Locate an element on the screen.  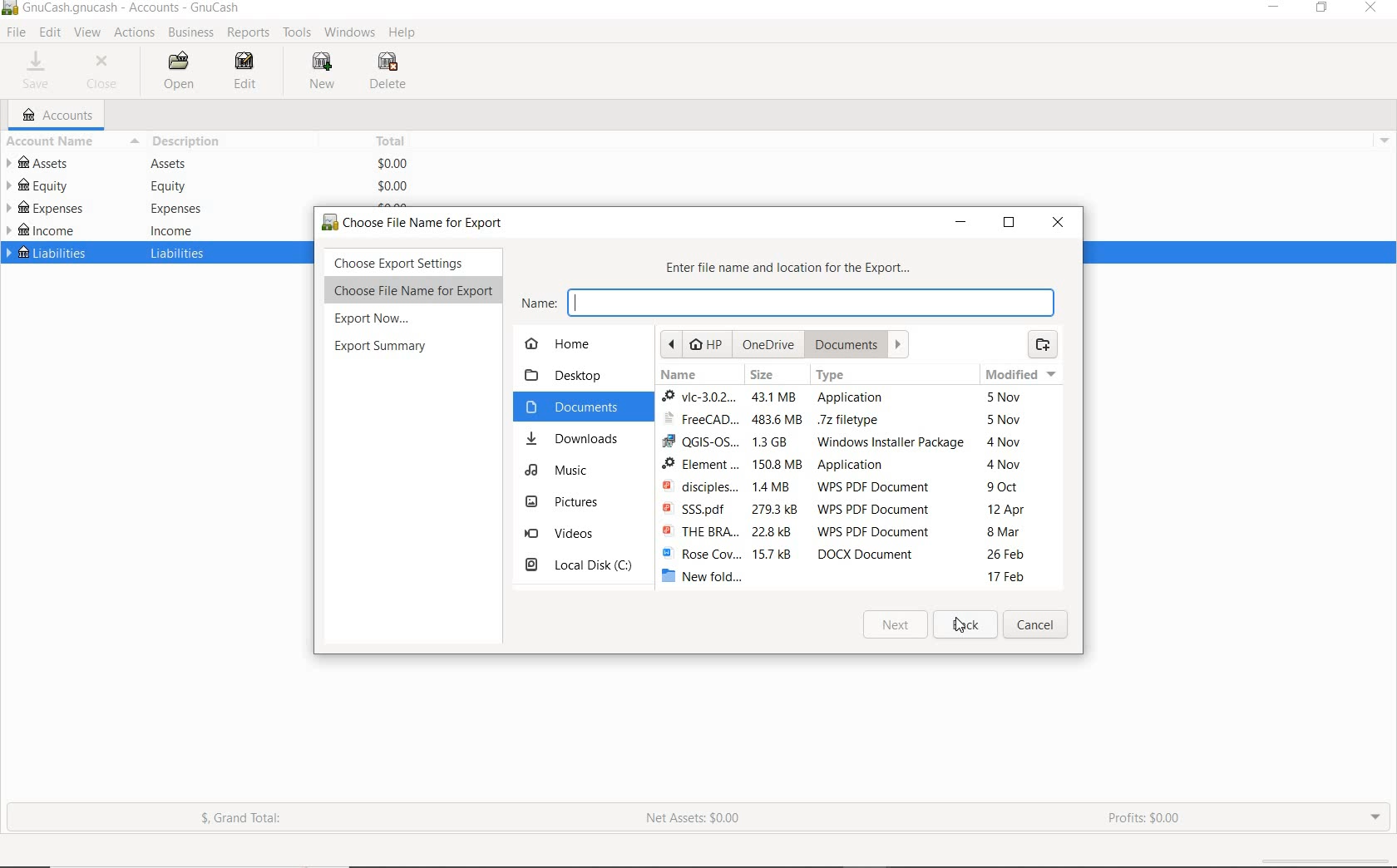
enter file name and location for the export is located at coordinates (796, 267).